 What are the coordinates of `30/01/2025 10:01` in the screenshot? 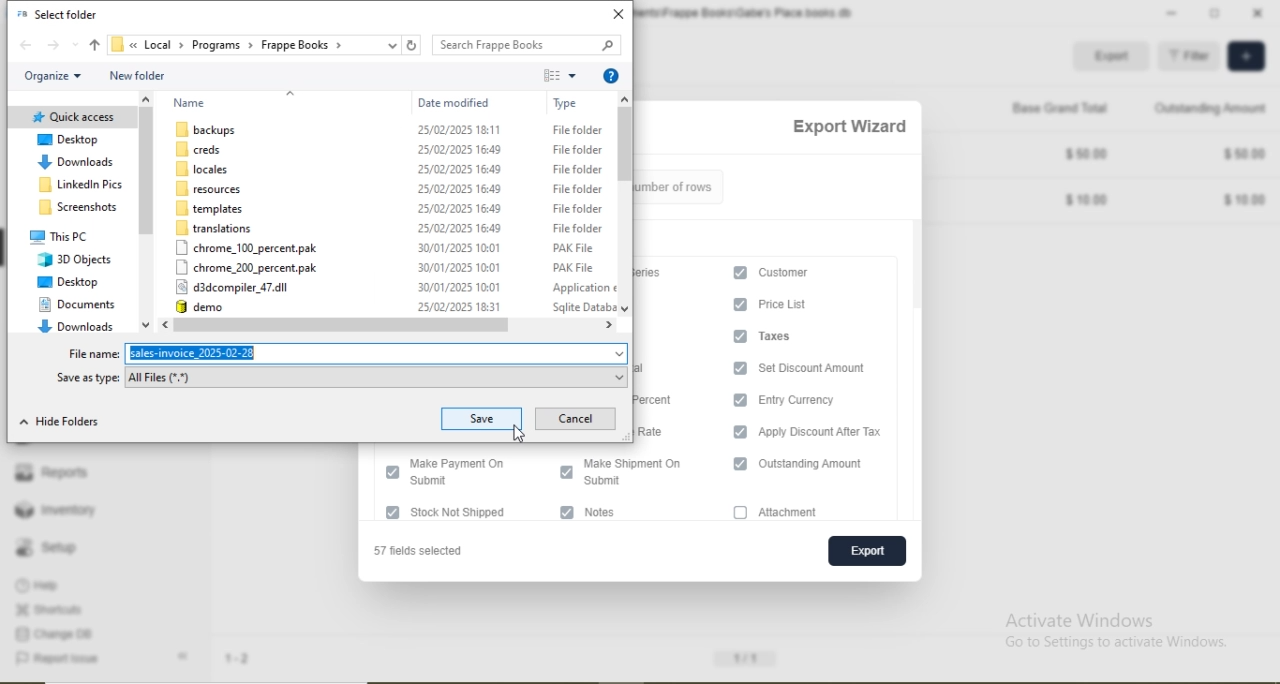 It's located at (460, 267).